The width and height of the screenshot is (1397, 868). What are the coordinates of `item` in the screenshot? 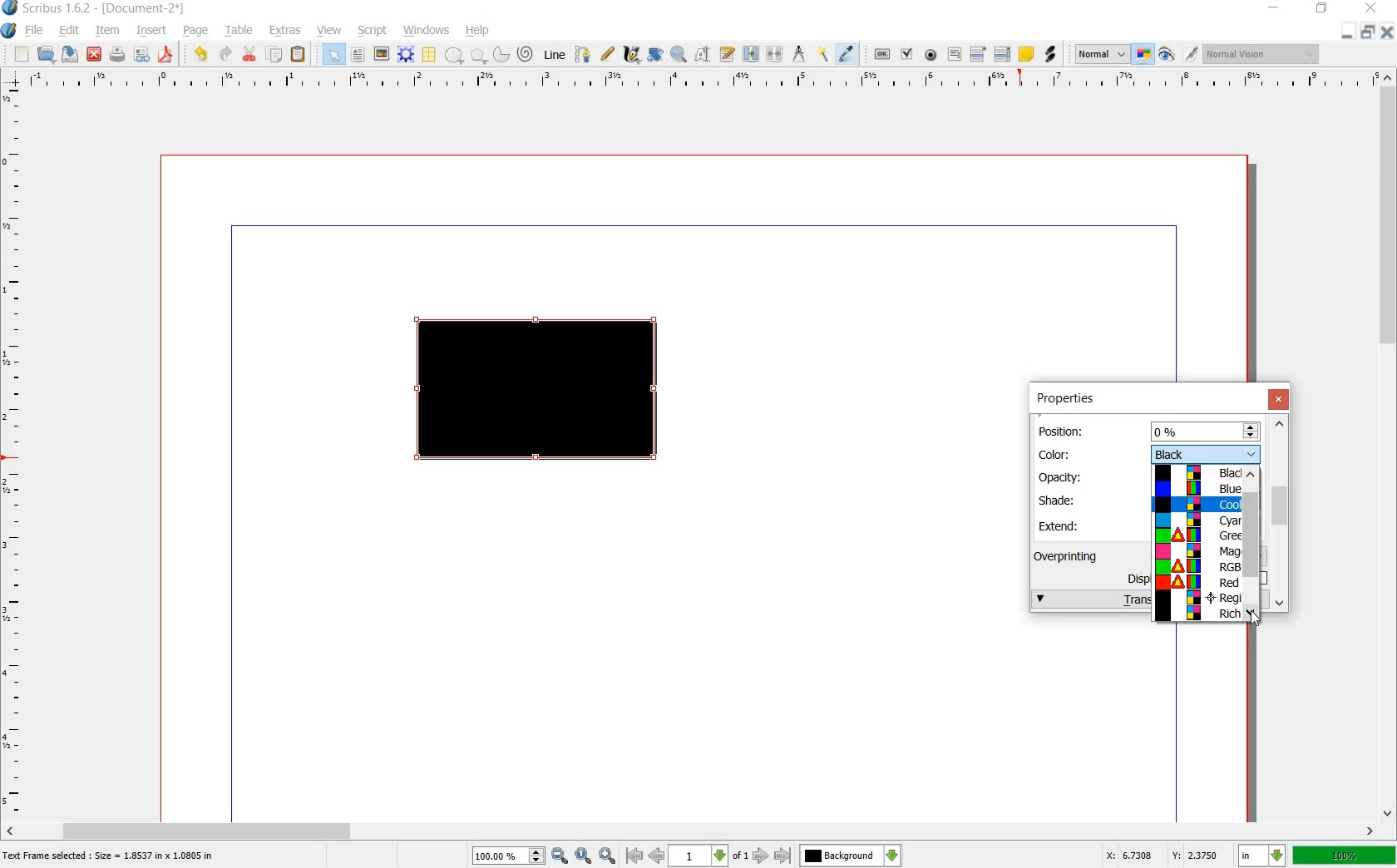 It's located at (106, 32).